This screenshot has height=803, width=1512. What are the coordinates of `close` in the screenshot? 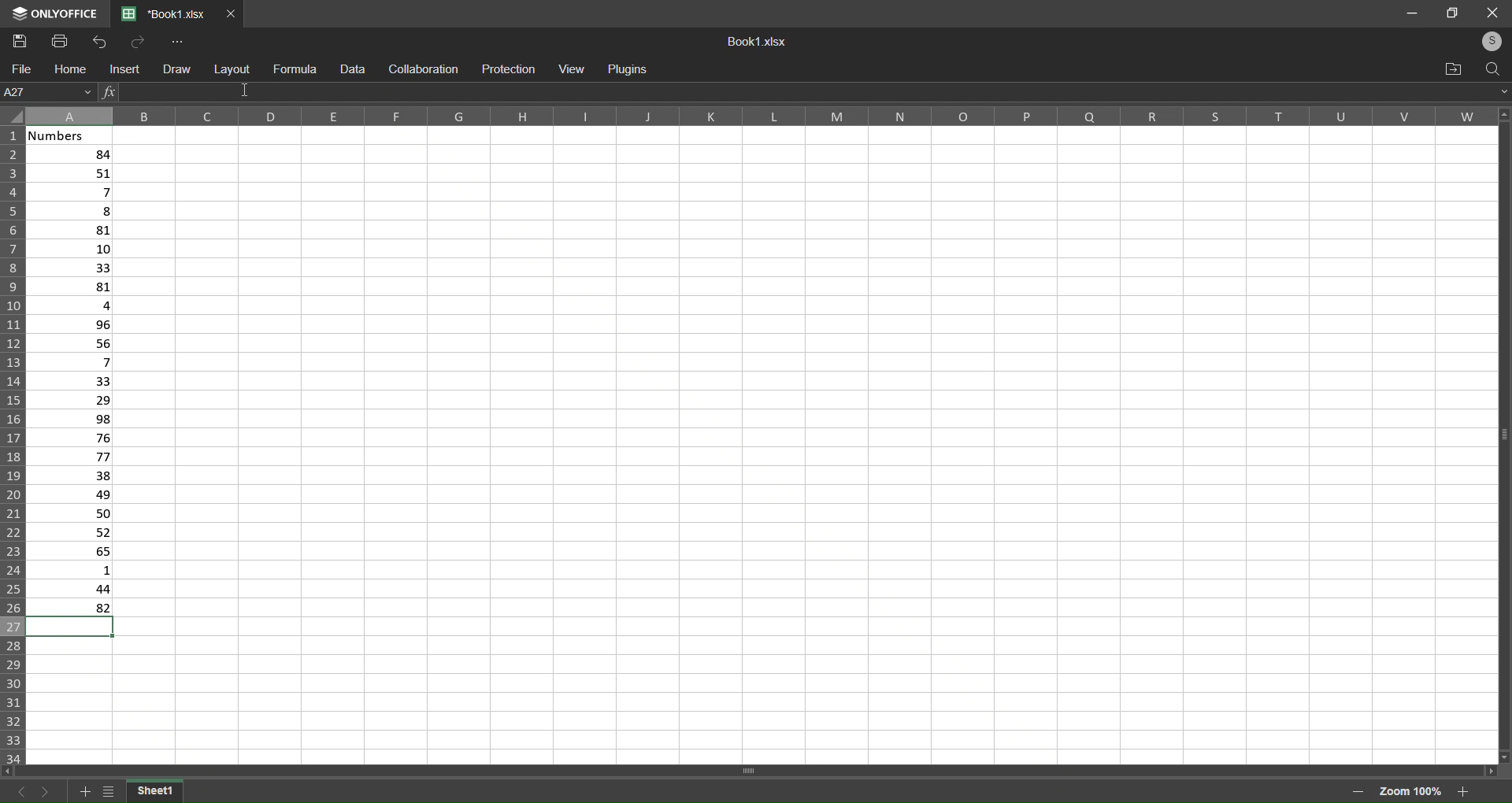 It's located at (1494, 13).